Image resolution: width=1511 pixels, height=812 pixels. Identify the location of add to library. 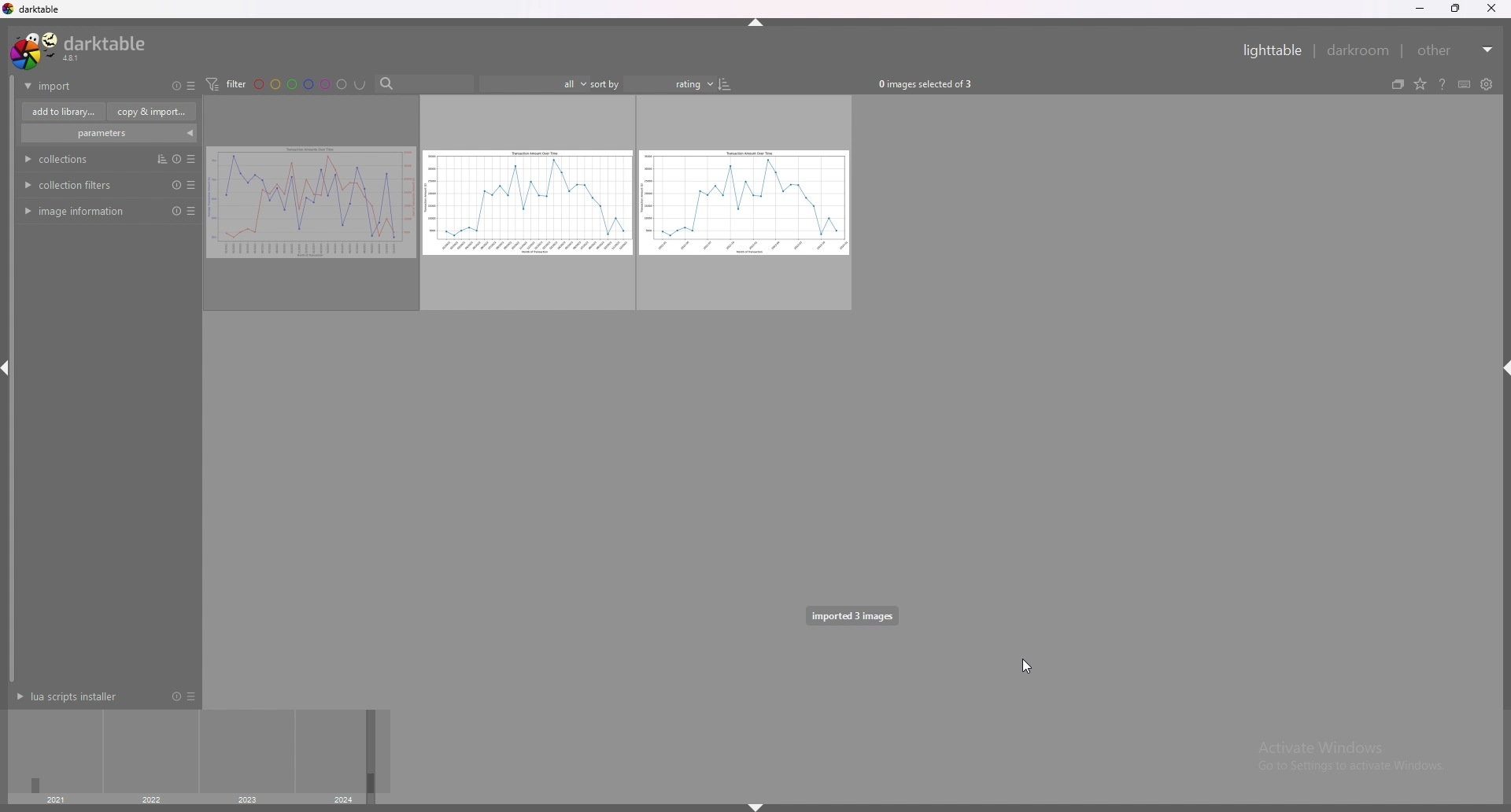
(64, 112).